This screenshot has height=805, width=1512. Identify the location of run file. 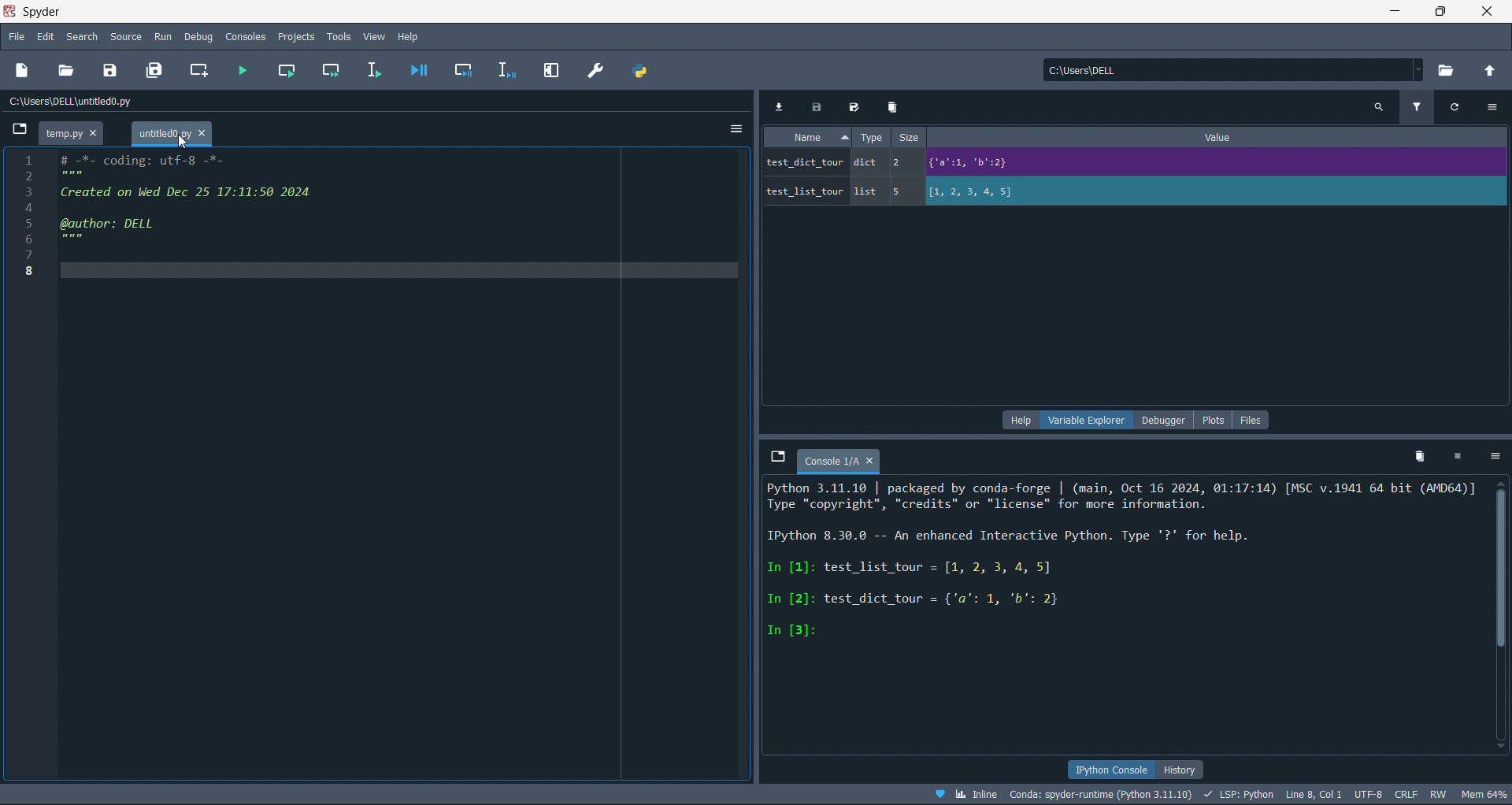
(240, 68).